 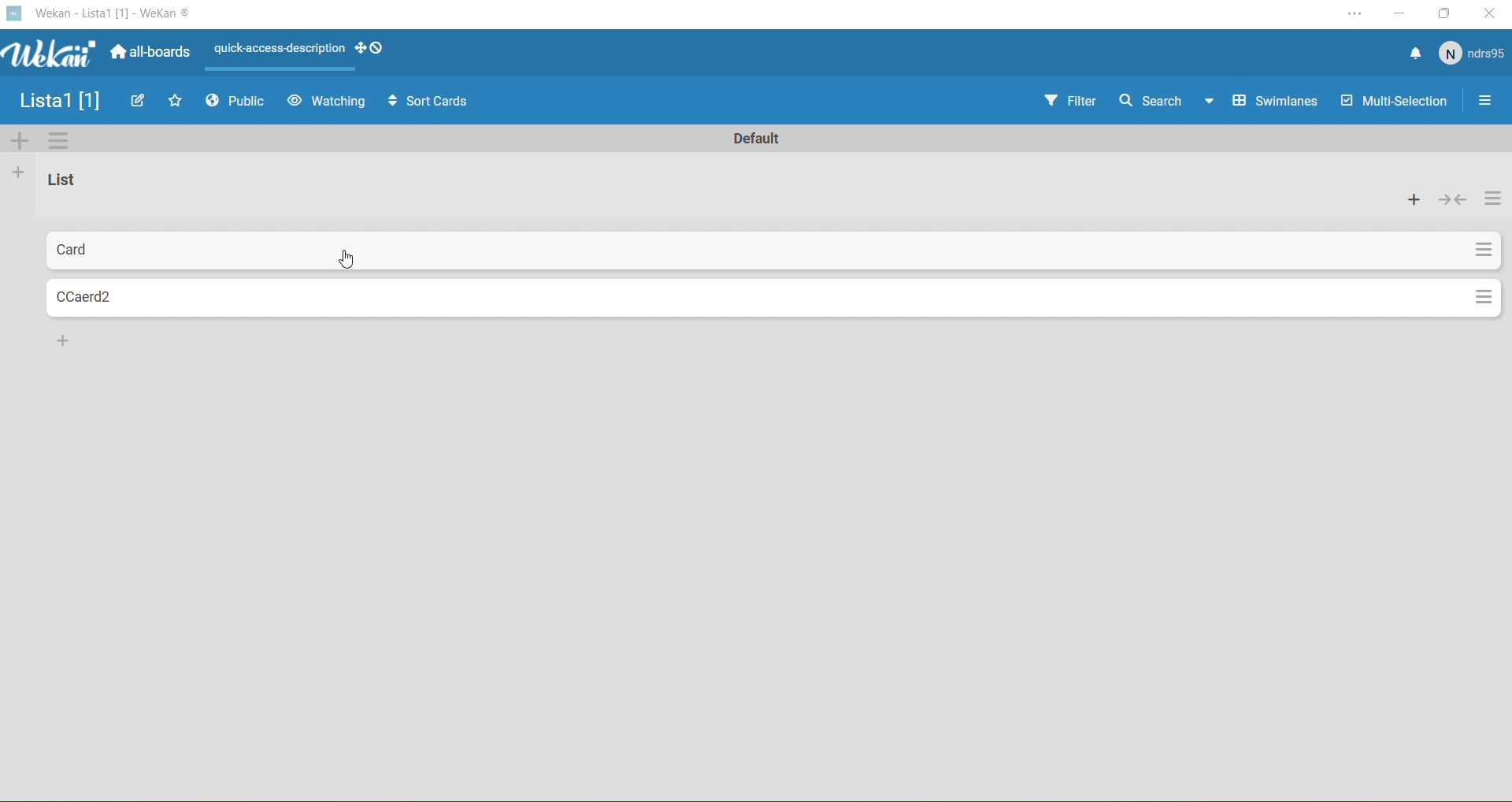 What do you see at coordinates (71, 347) in the screenshot?
I see `More` at bounding box center [71, 347].